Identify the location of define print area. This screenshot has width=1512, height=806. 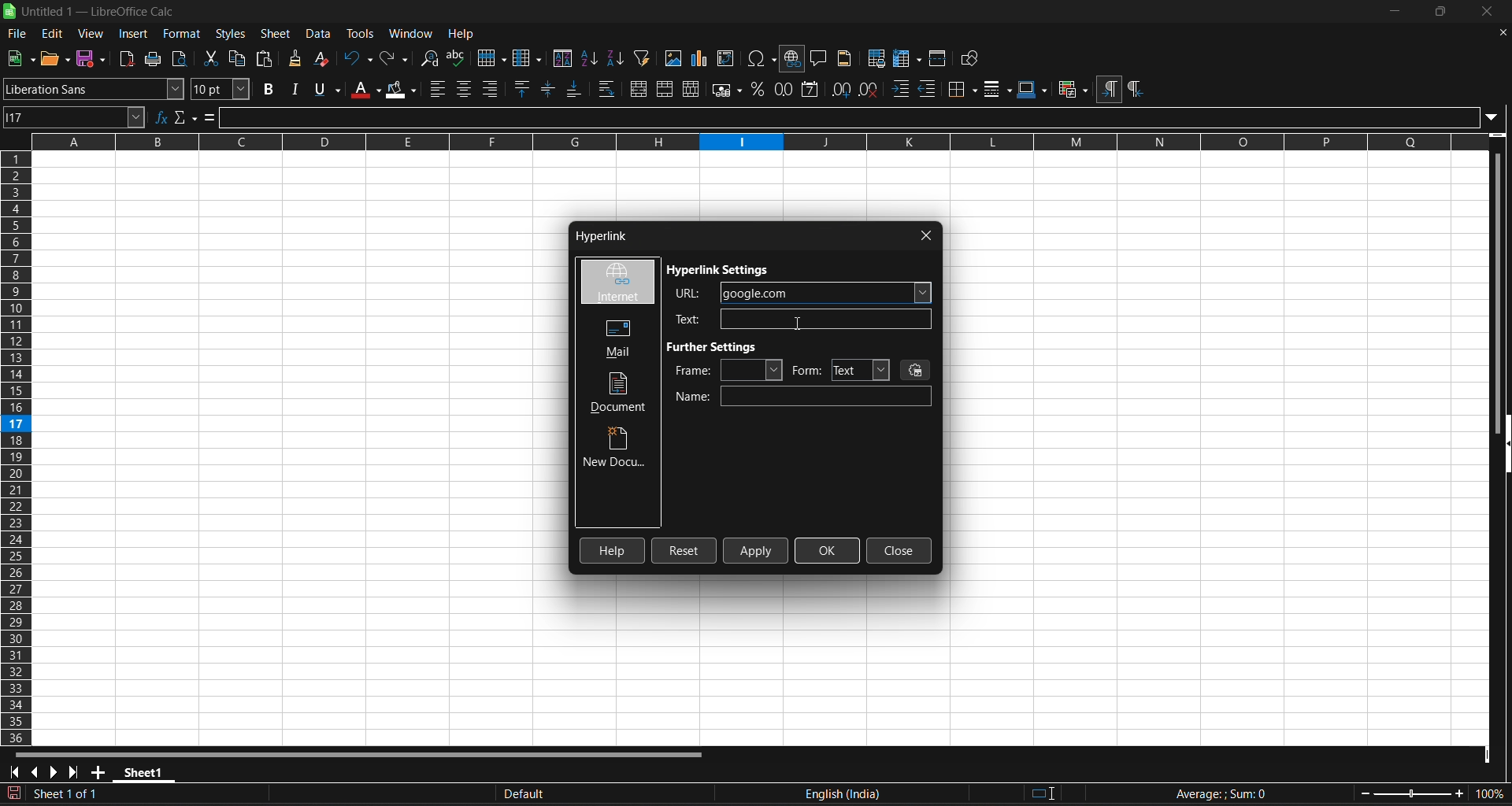
(876, 57).